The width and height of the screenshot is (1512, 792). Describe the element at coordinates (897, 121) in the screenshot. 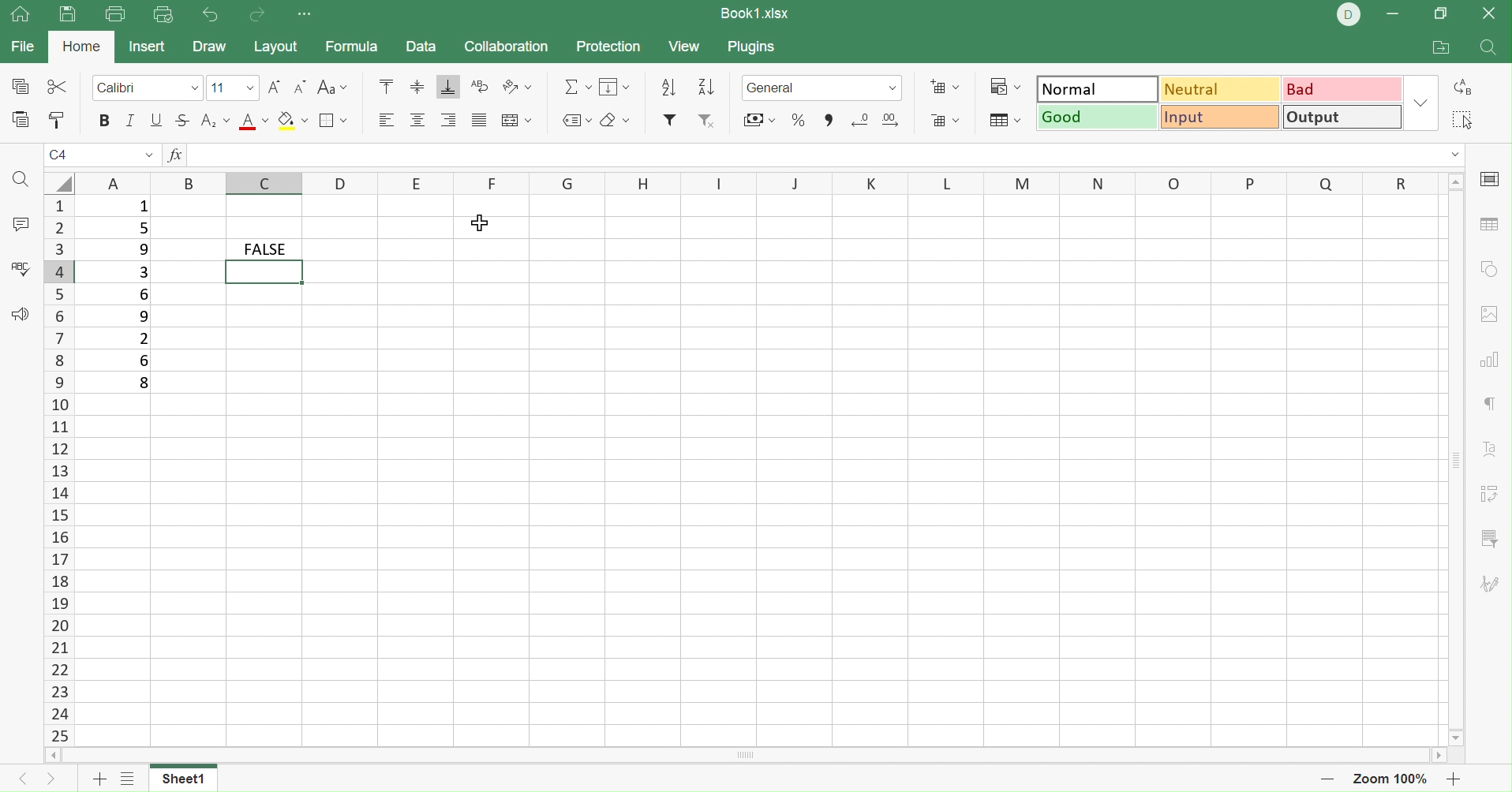

I see `Increase decimal` at that location.